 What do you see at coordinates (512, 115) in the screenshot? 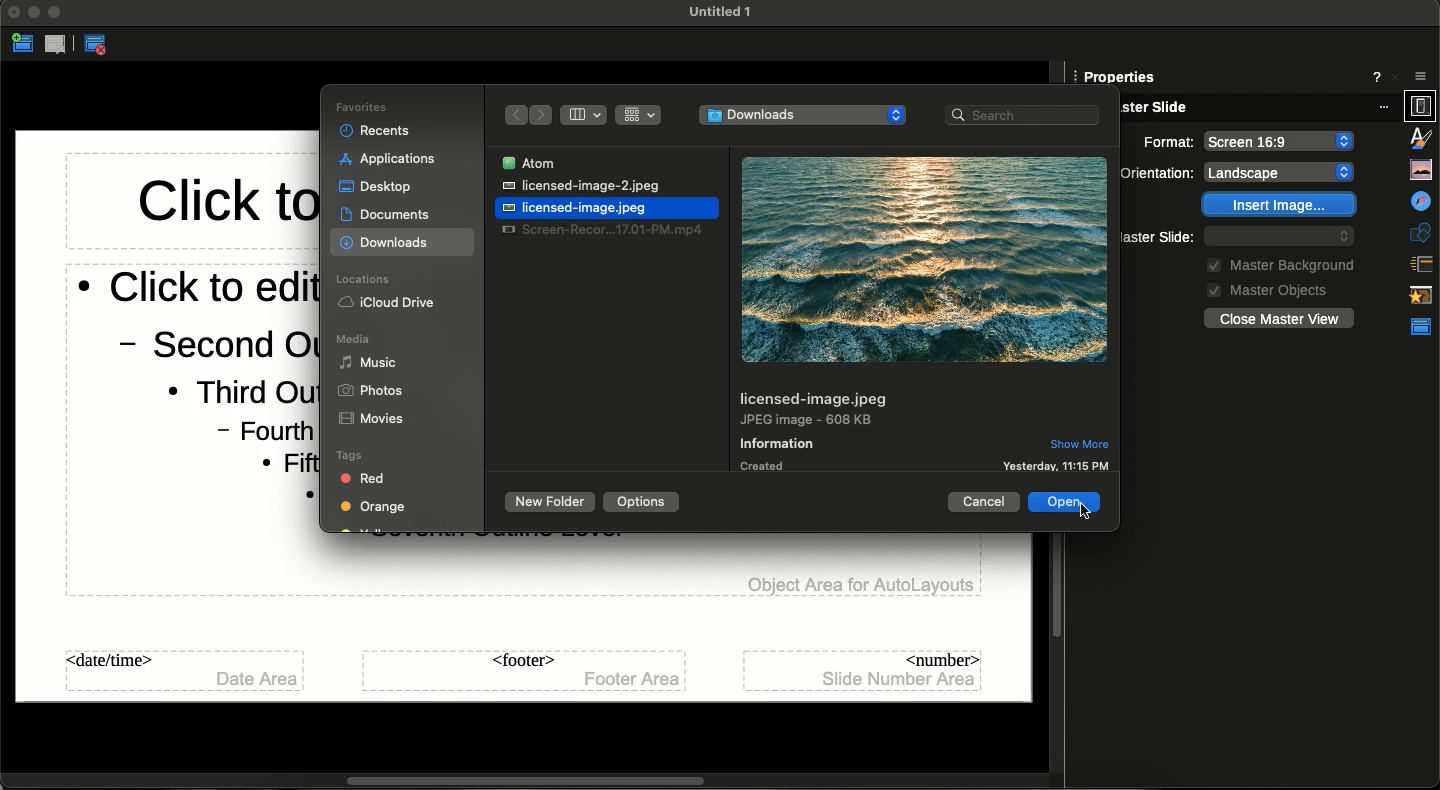
I see `Back` at bounding box center [512, 115].